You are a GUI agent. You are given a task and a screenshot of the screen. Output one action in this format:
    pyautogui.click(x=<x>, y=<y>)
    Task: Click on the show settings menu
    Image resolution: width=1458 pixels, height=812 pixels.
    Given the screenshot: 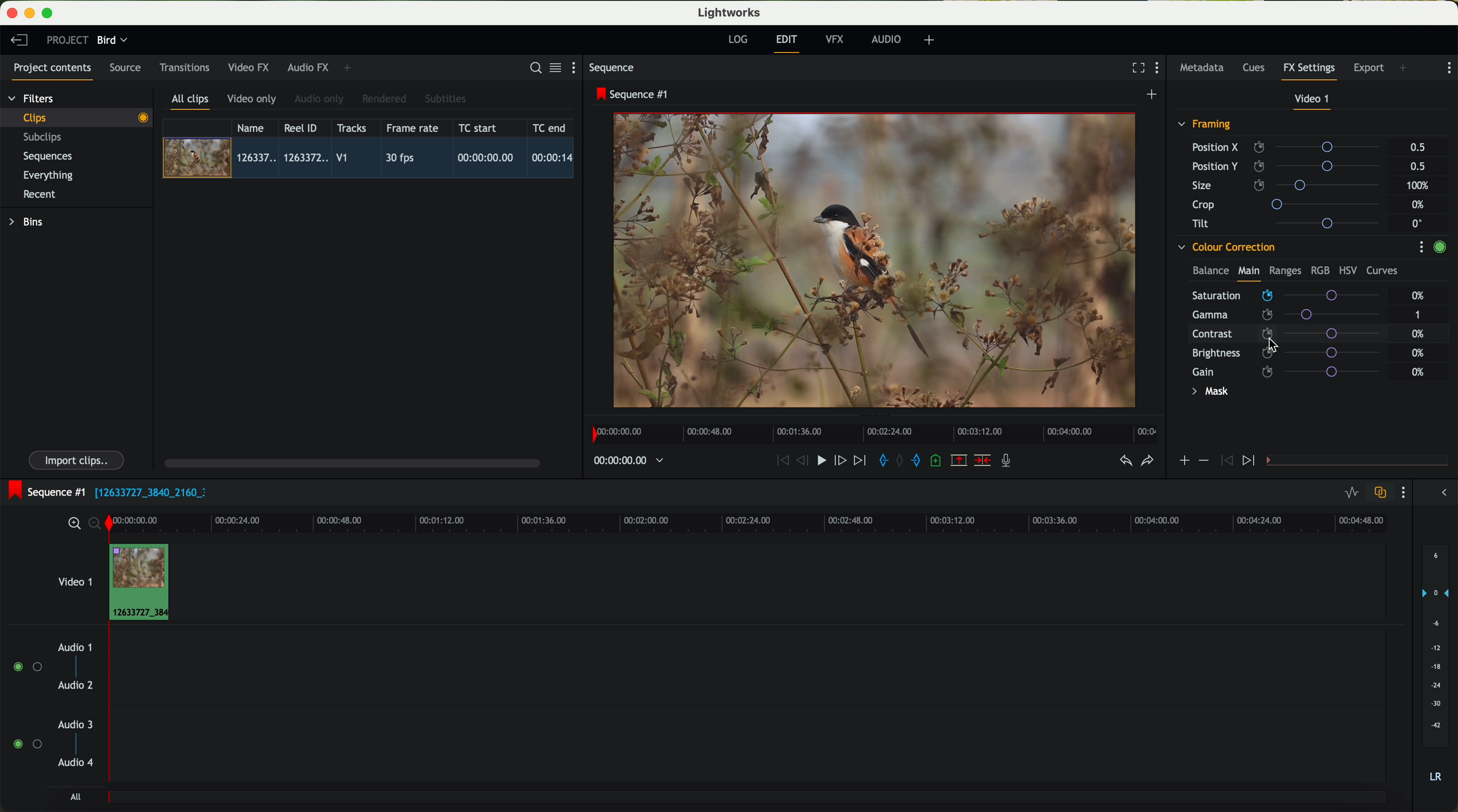 What is the action you would take?
    pyautogui.click(x=1448, y=68)
    